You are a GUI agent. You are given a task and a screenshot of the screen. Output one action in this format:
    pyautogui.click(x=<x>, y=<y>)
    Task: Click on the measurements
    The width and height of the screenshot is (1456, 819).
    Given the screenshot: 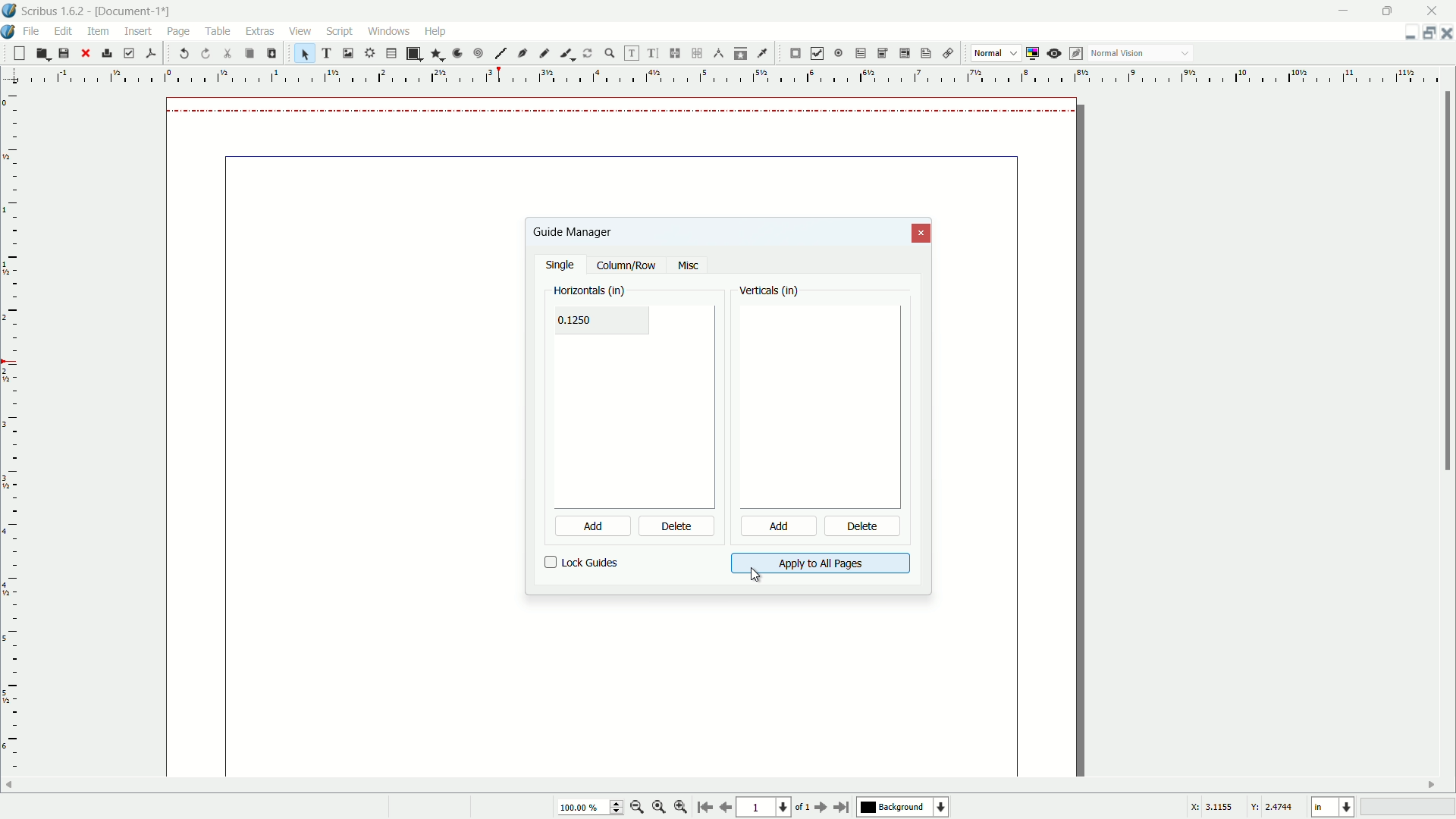 What is the action you would take?
    pyautogui.click(x=719, y=54)
    